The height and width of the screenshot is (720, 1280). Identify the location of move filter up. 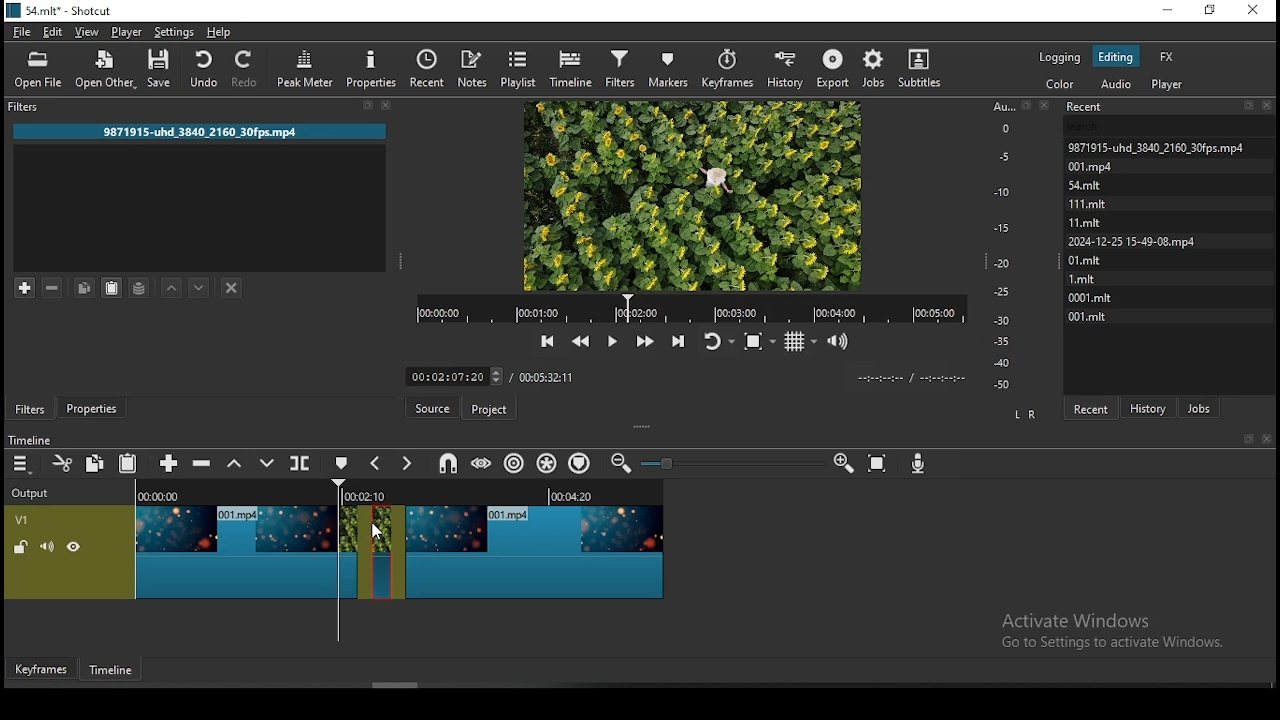
(173, 286).